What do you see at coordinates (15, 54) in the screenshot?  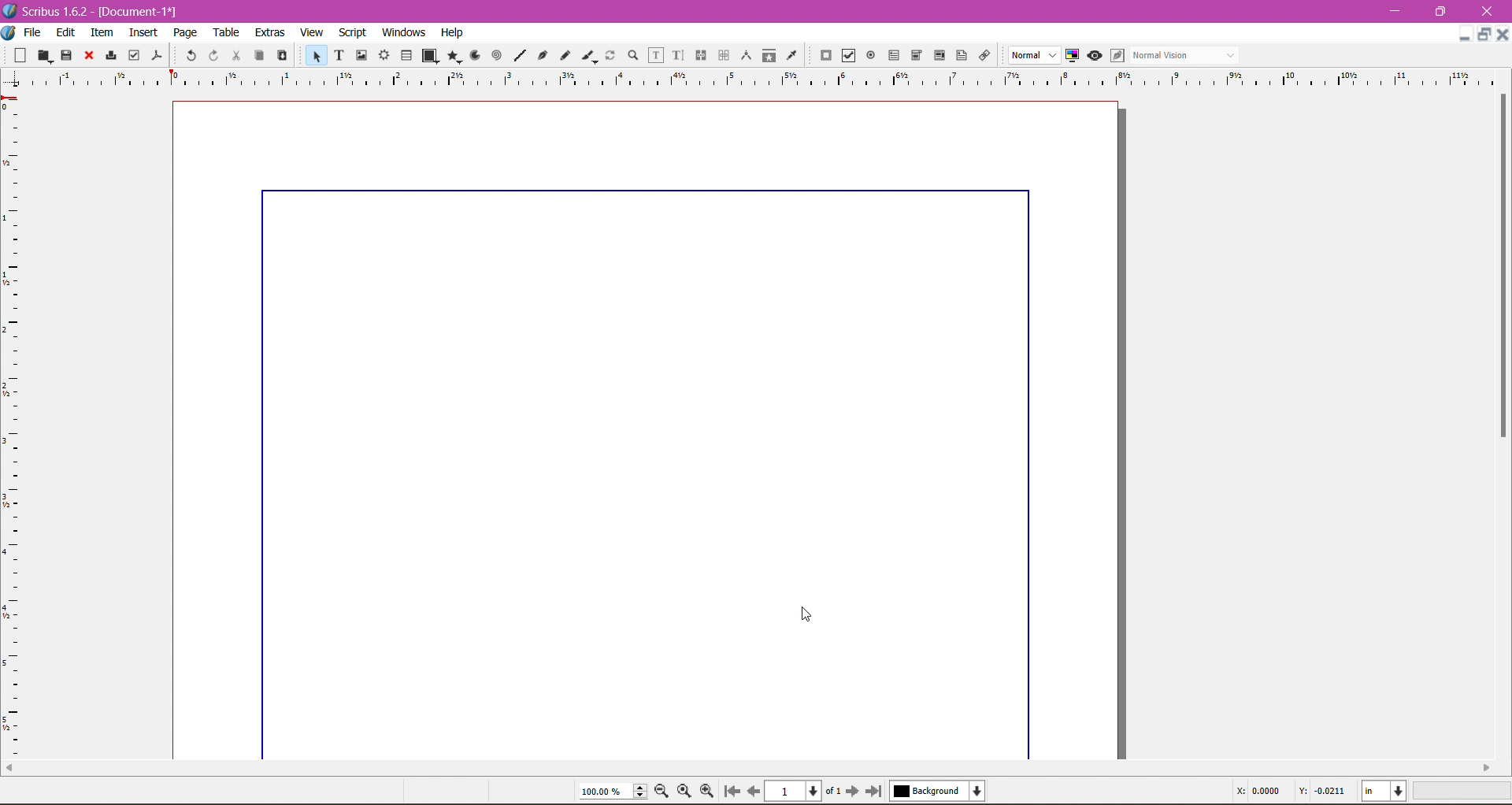 I see `New` at bounding box center [15, 54].